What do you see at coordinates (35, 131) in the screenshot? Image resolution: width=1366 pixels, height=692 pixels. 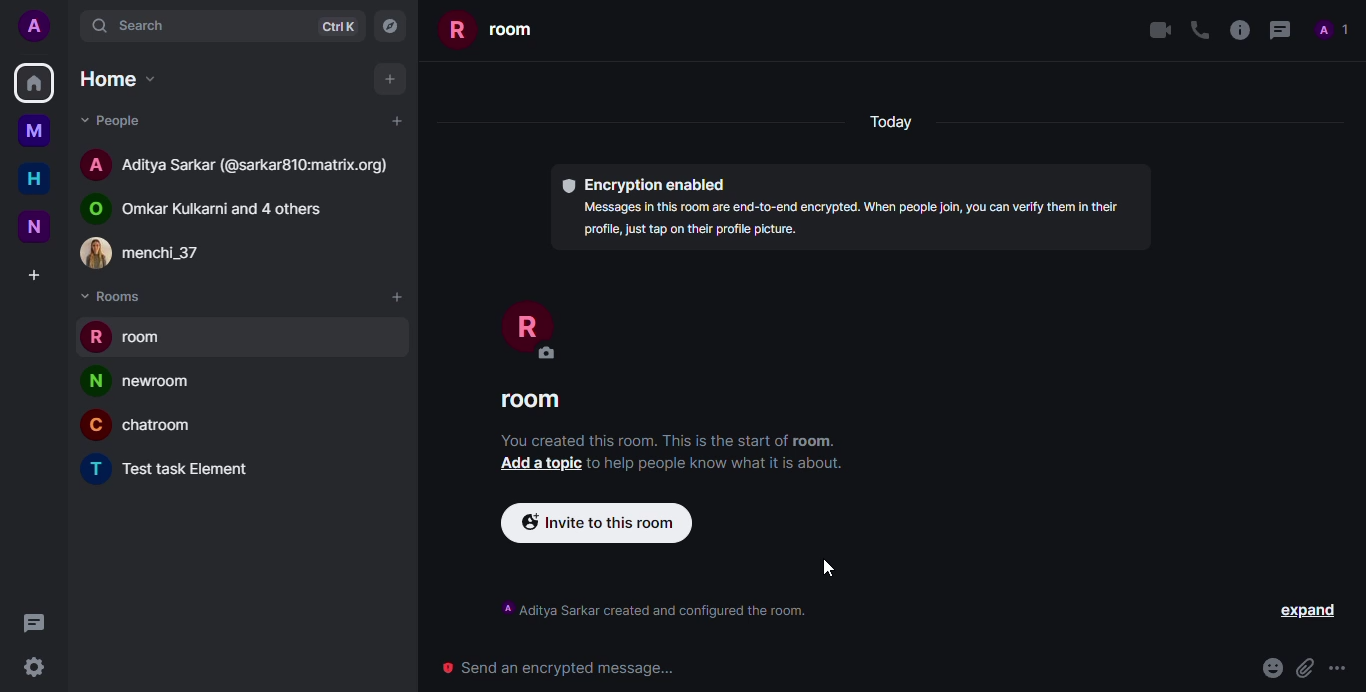 I see `myspace` at bounding box center [35, 131].